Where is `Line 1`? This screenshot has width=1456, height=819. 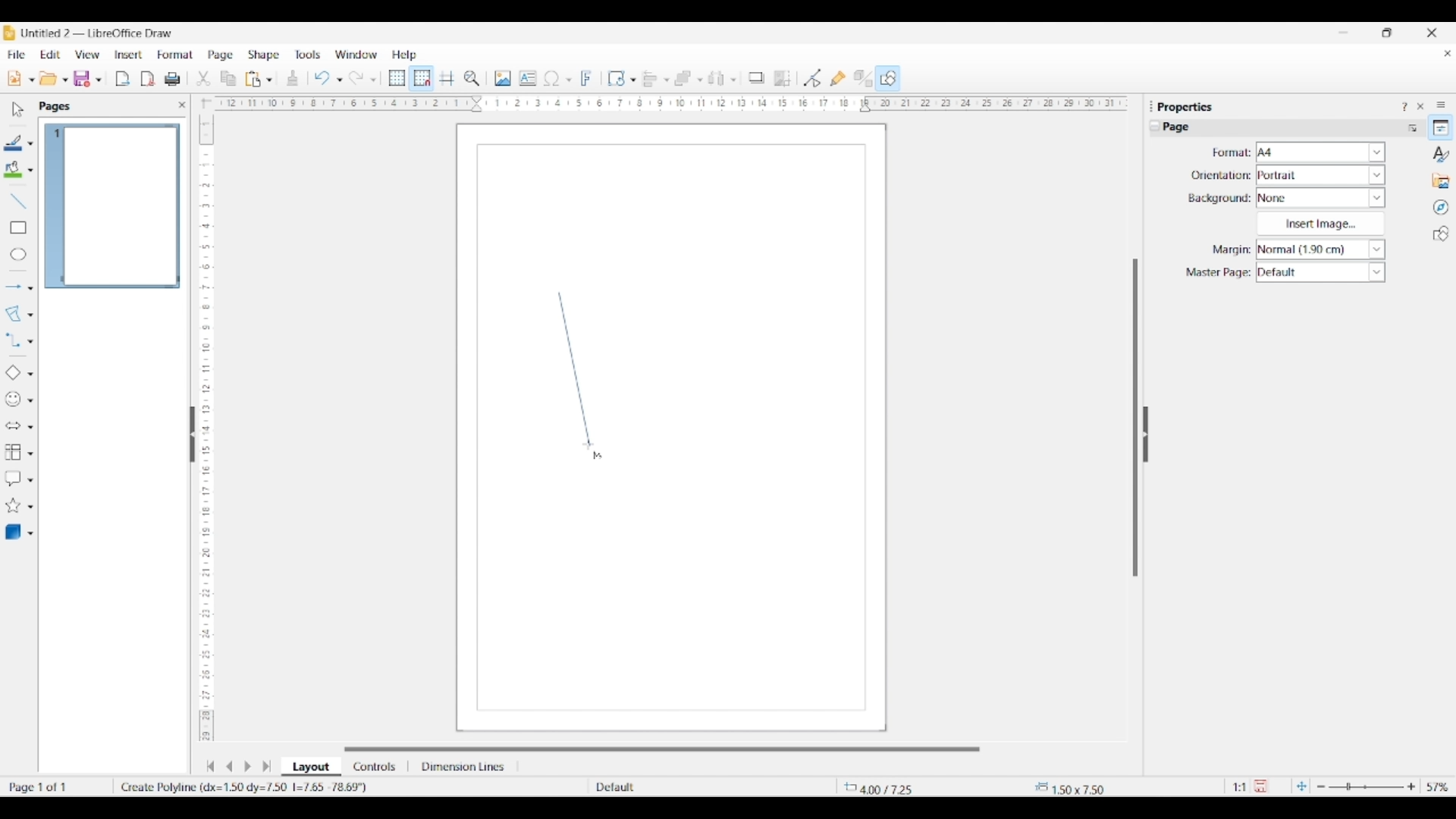
Line 1 is located at coordinates (574, 369).